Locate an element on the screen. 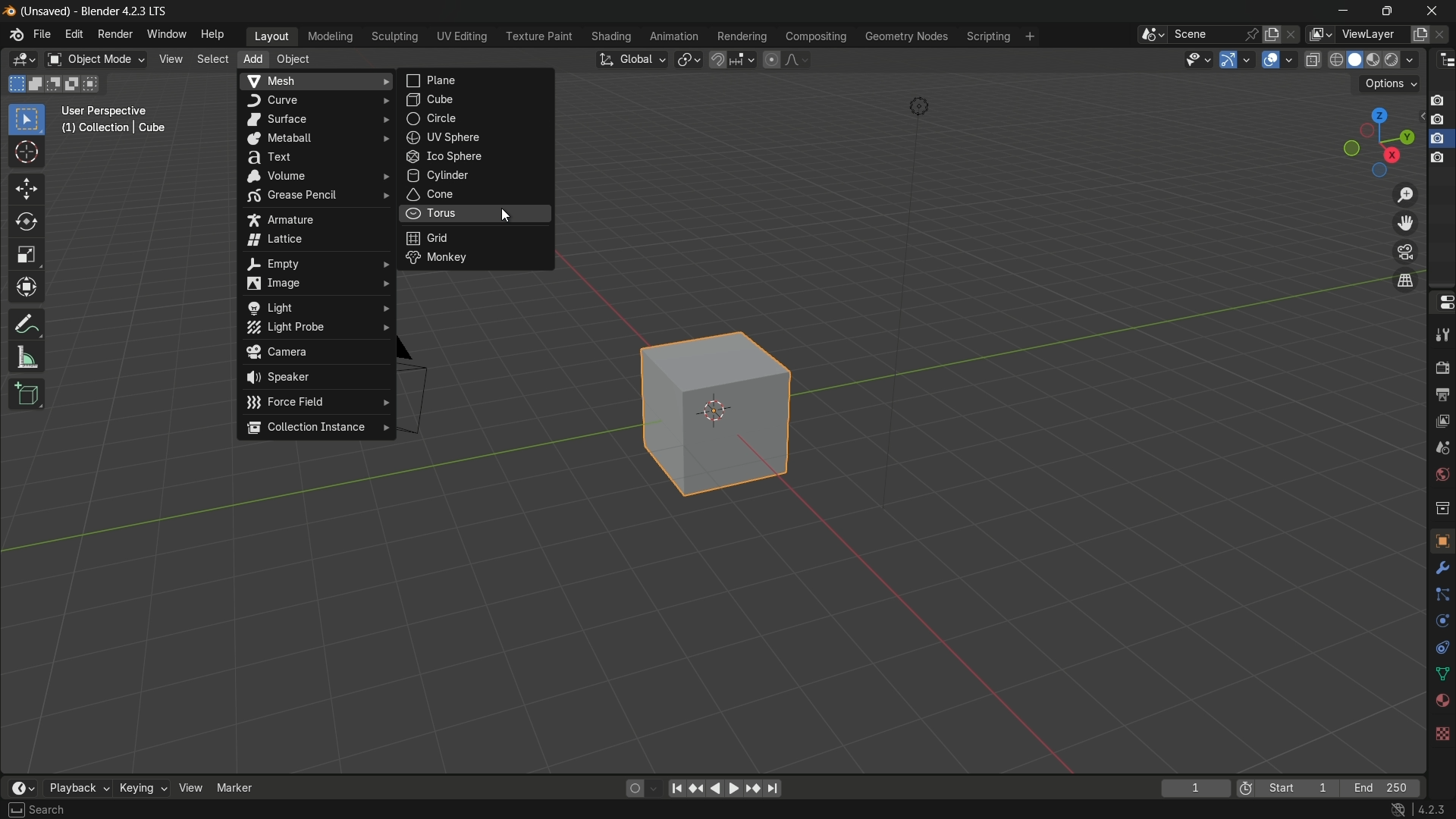 The width and height of the screenshot is (1456, 819). cursor is located at coordinates (504, 215).